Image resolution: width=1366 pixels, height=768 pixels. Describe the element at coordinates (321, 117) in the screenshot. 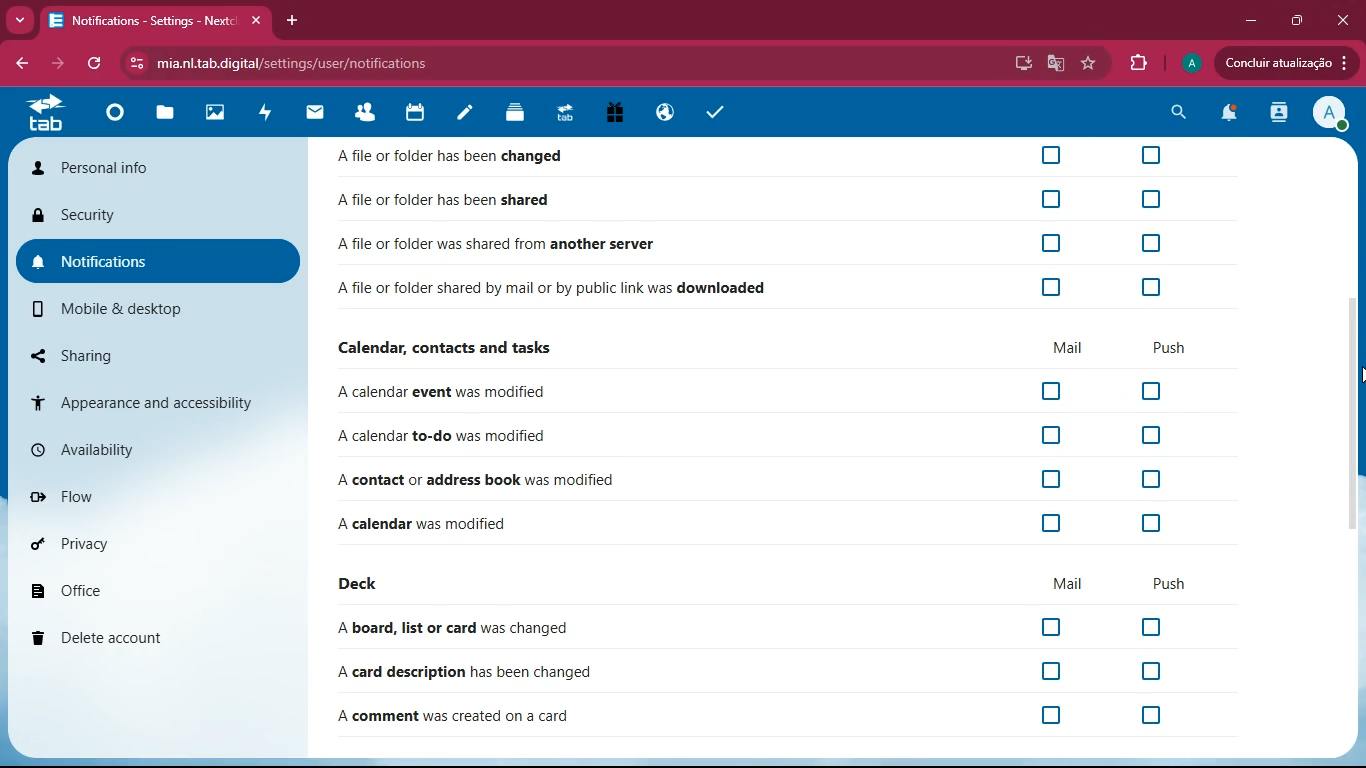

I see `mail` at that location.